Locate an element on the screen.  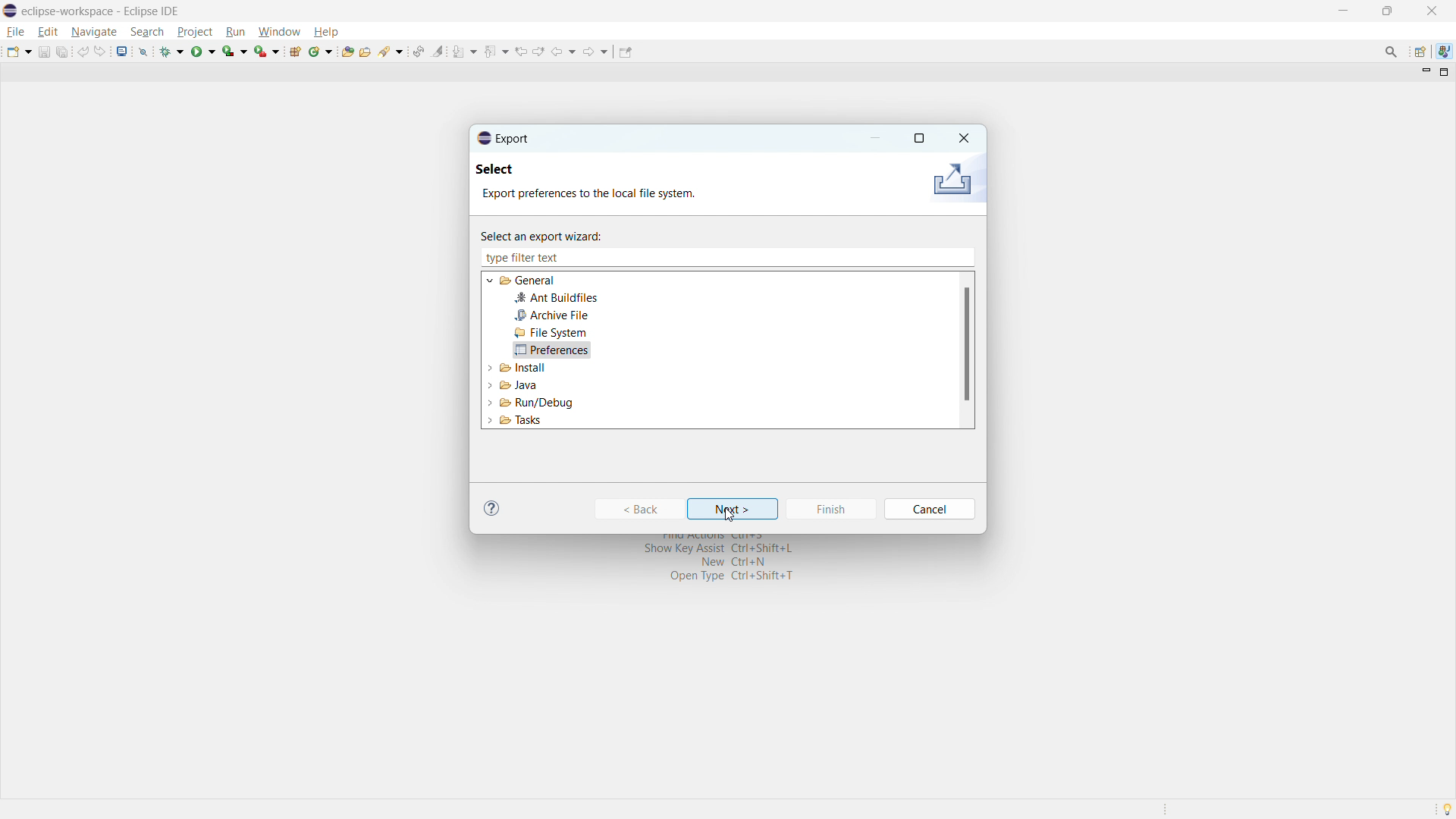
pin editor is located at coordinates (624, 52).